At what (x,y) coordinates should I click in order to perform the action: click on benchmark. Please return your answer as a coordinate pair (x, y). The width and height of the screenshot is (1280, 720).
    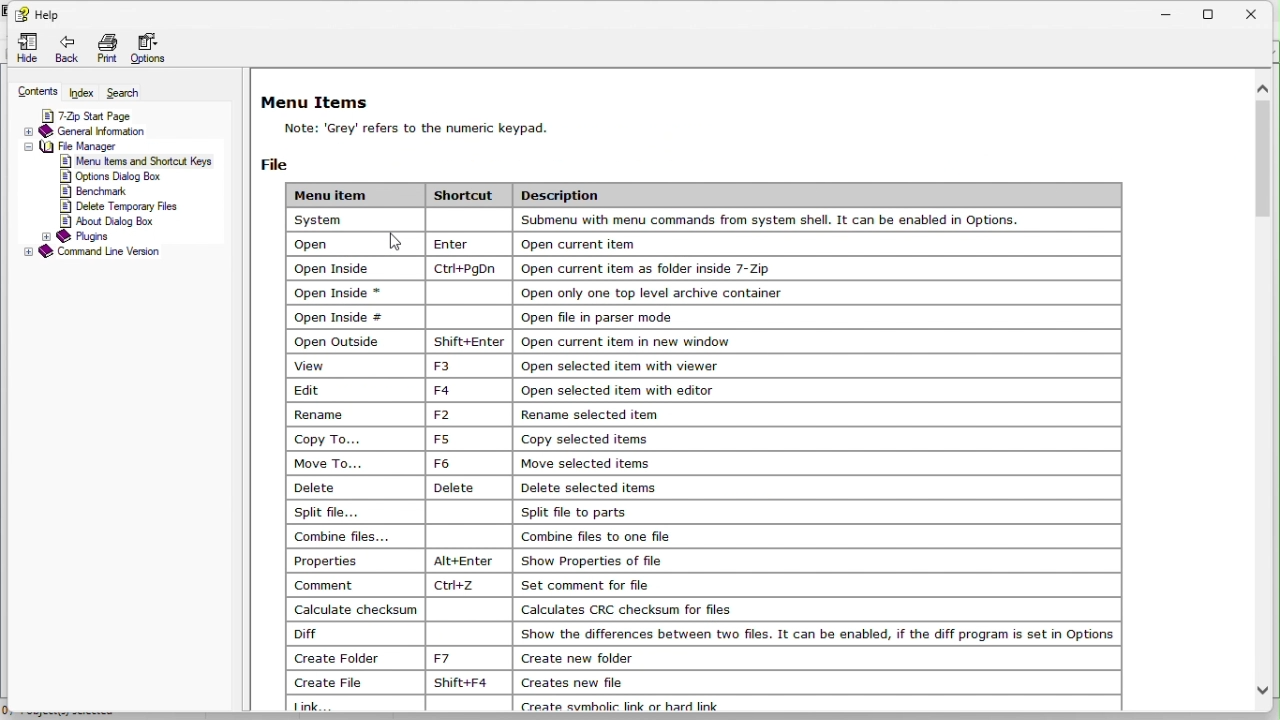
    Looking at the image, I should click on (96, 192).